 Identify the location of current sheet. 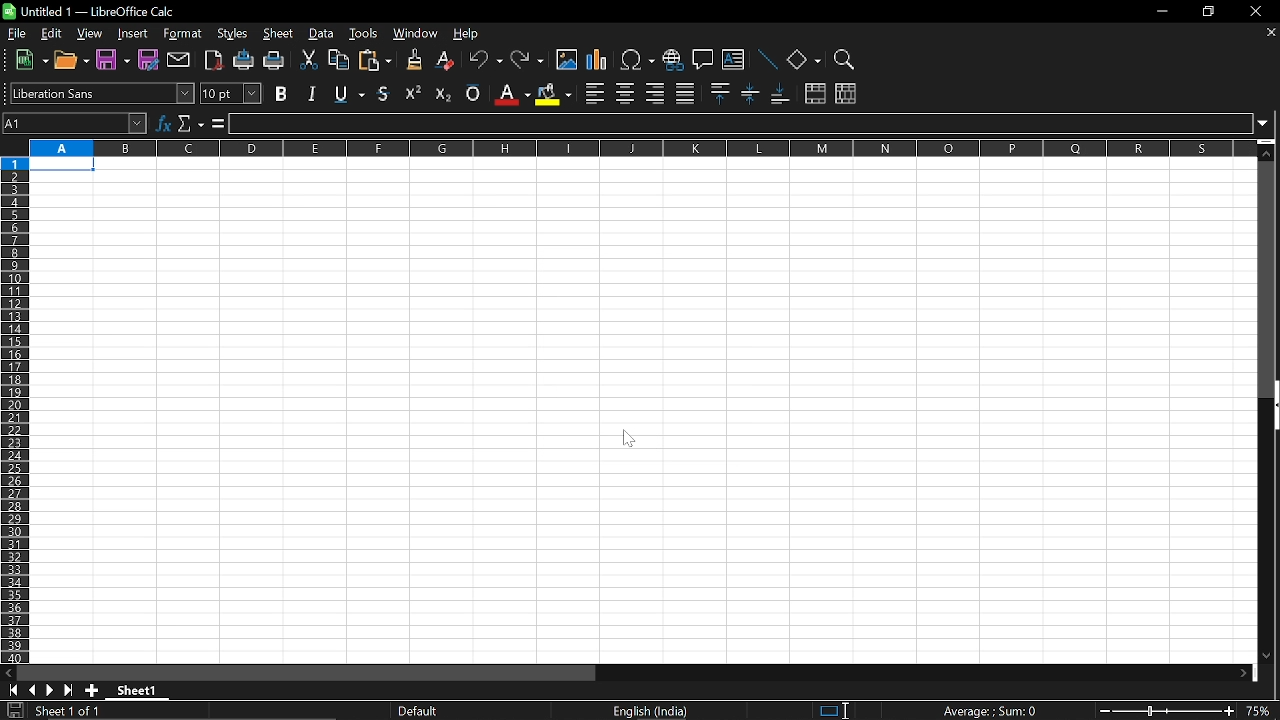
(78, 712).